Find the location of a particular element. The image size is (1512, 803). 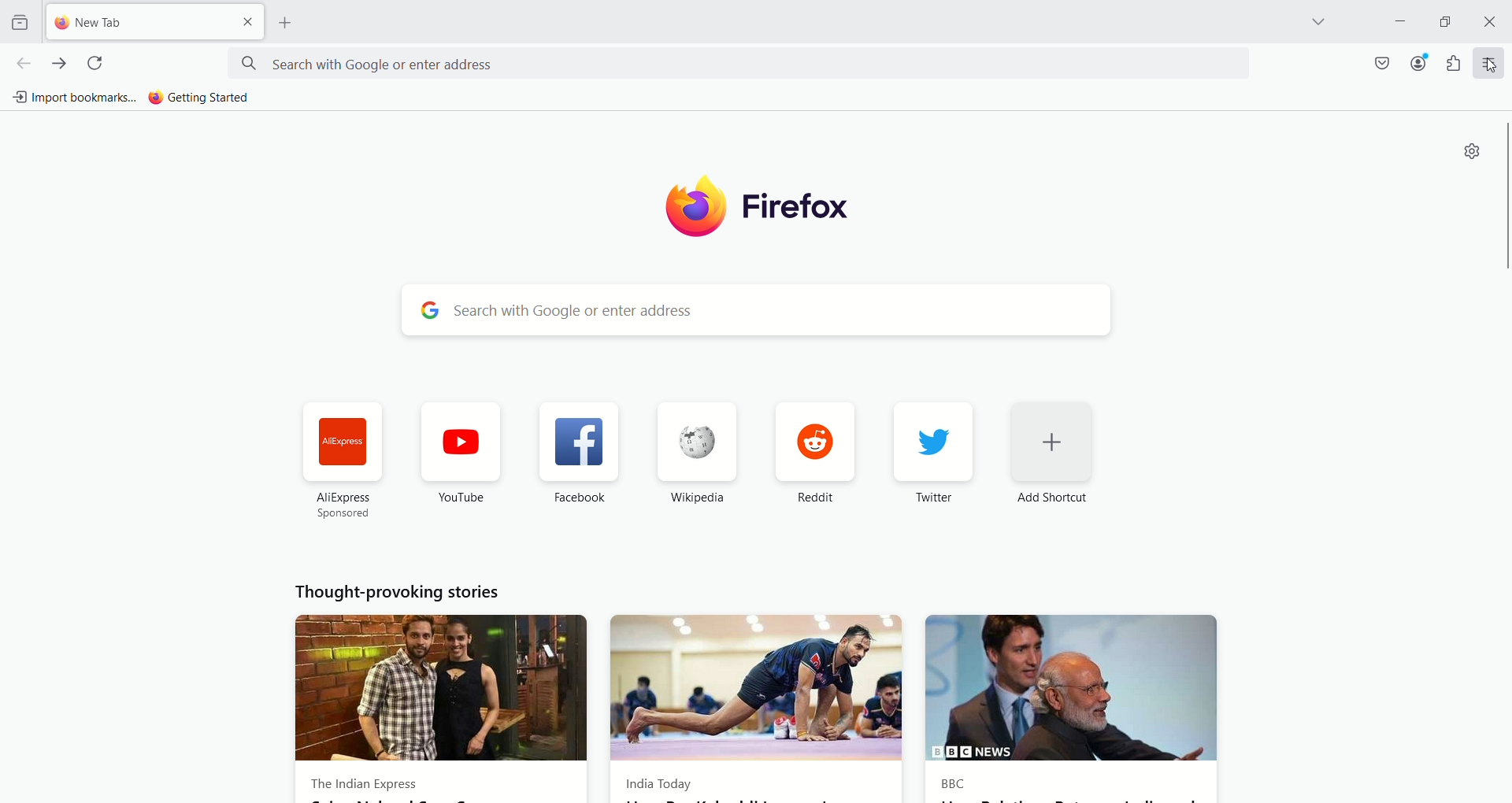

India Today is located at coordinates (754, 707).